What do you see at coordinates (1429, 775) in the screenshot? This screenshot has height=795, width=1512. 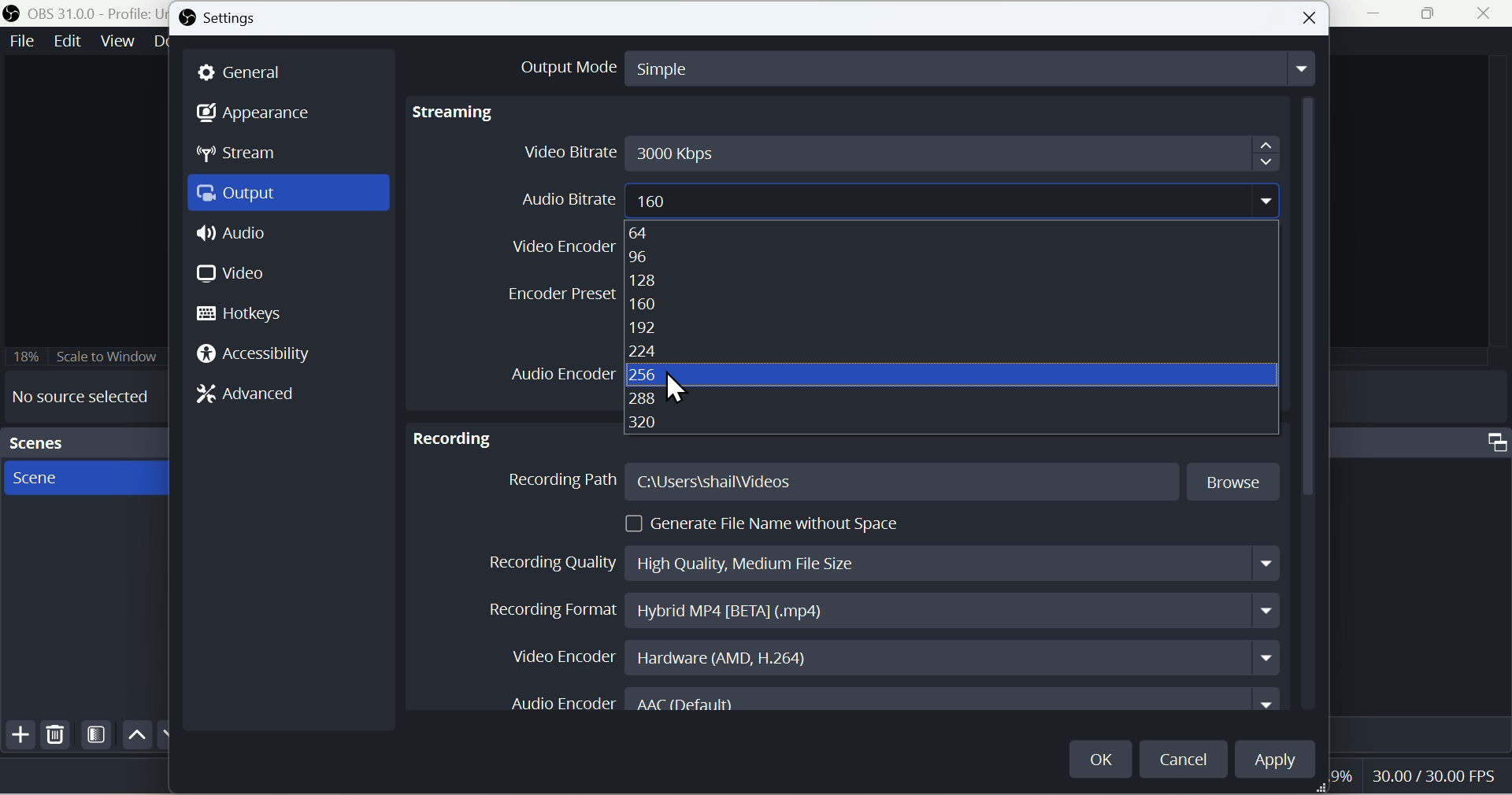 I see `30.00/30.00 FPS` at bounding box center [1429, 775].